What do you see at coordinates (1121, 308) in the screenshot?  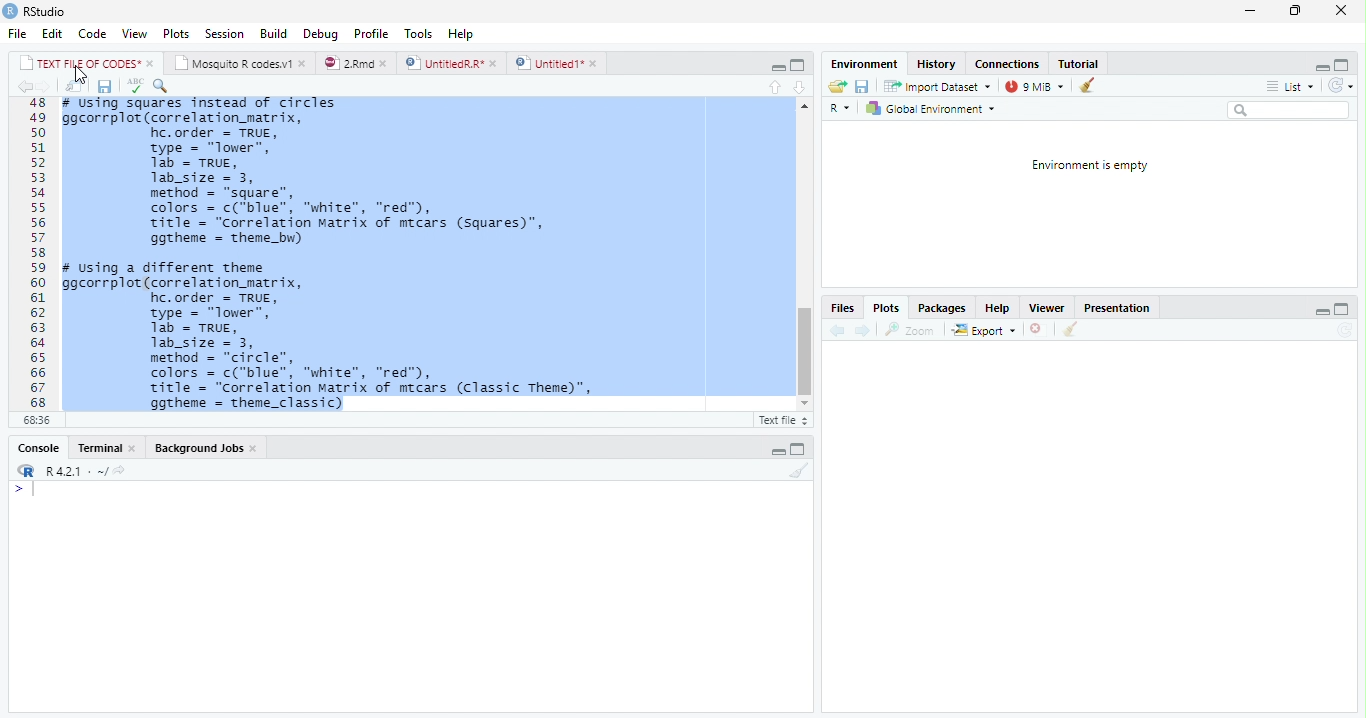 I see `Presentation` at bounding box center [1121, 308].